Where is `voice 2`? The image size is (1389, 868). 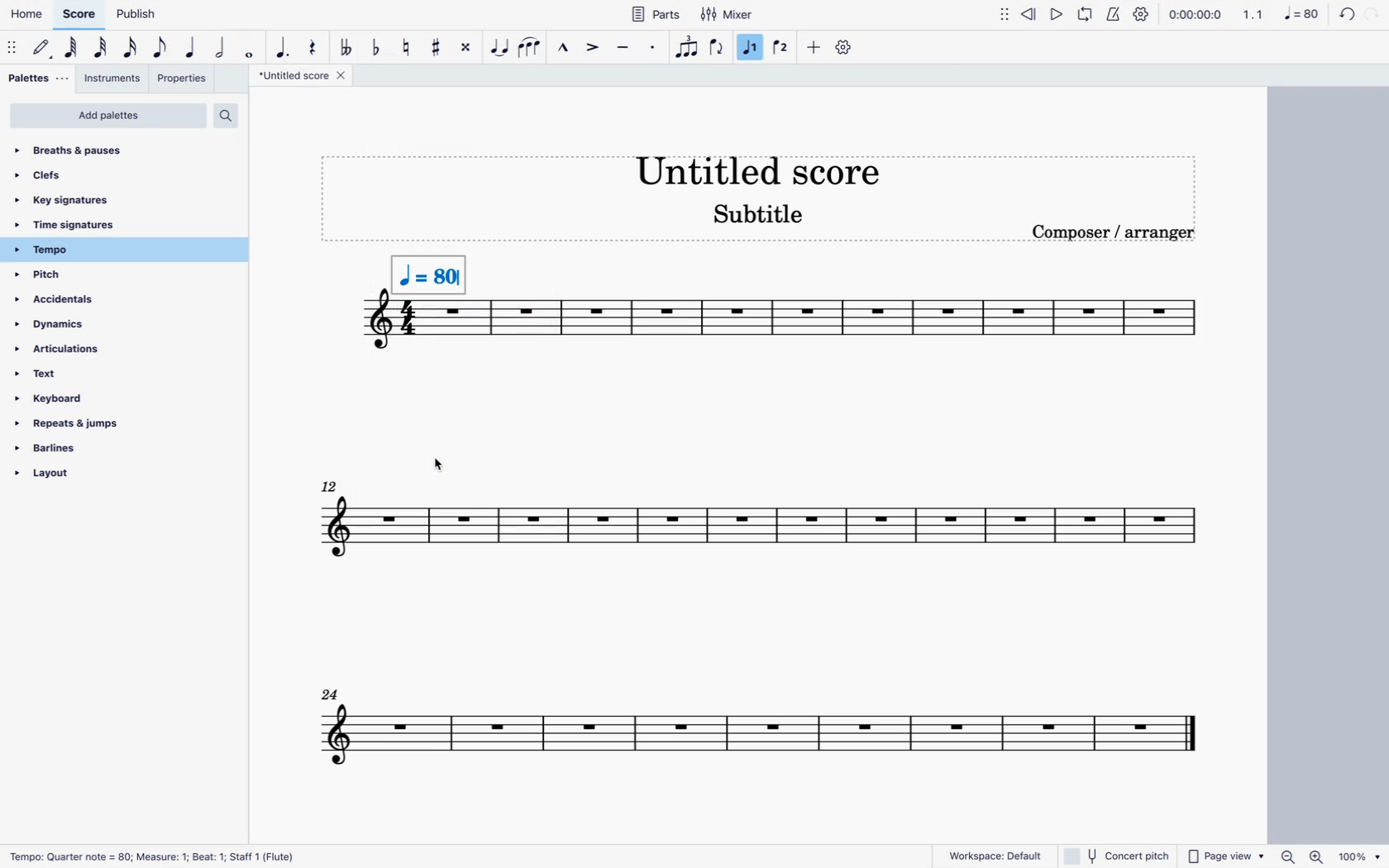
voice 2 is located at coordinates (780, 45).